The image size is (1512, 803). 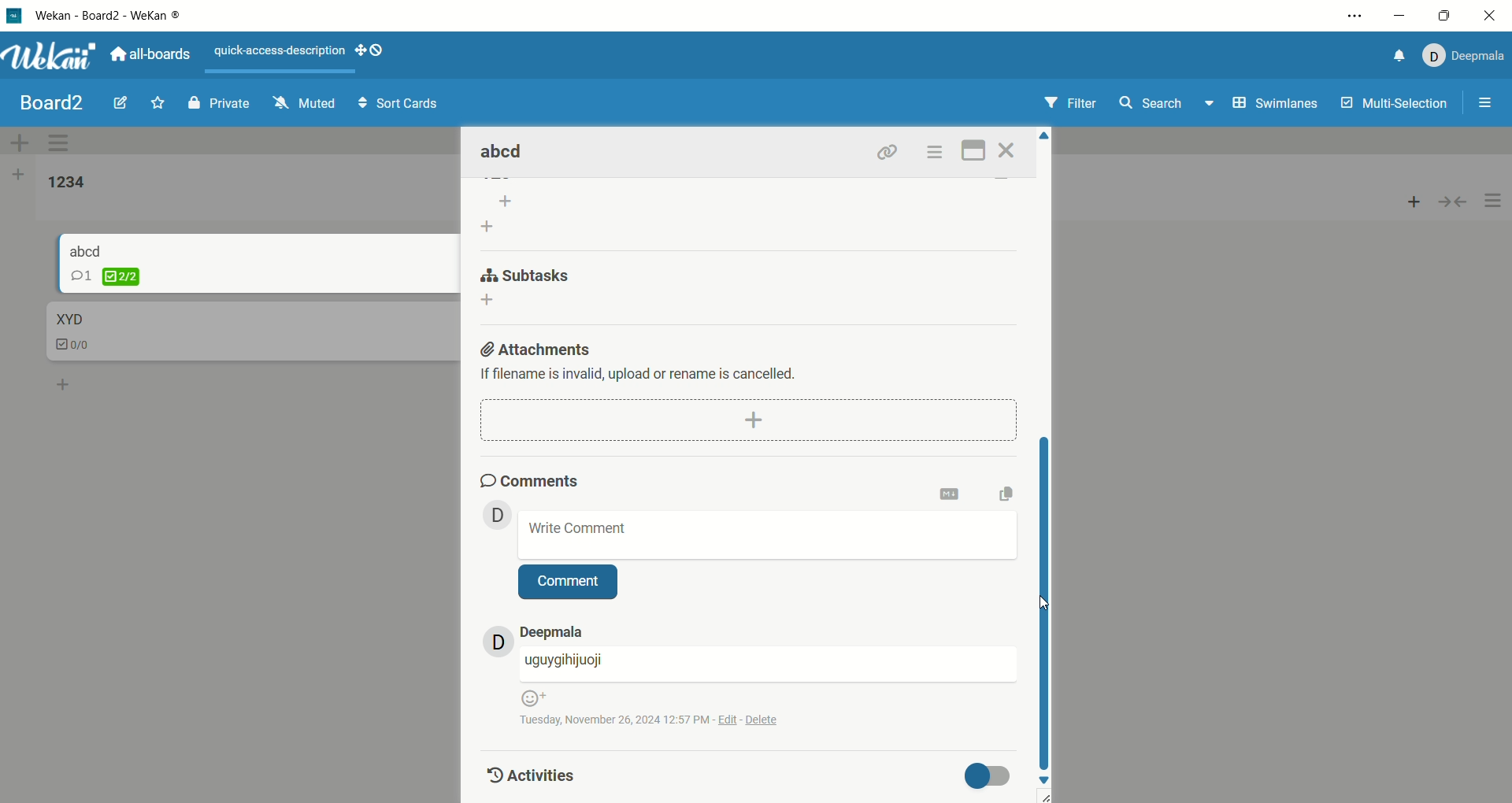 I want to click on collapse, so click(x=1459, y=200).